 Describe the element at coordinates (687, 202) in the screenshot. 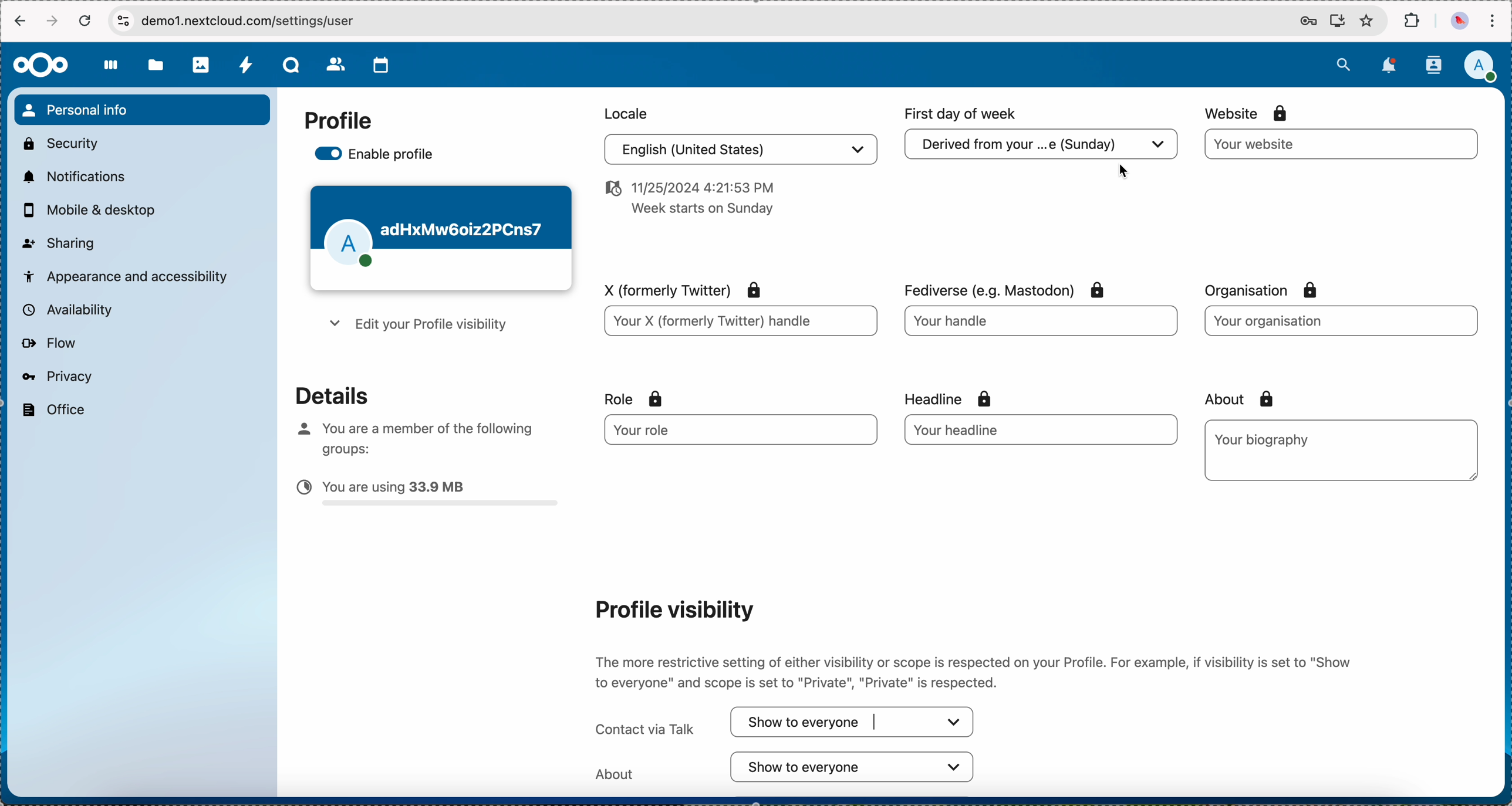

I see `date and hour` at that location.